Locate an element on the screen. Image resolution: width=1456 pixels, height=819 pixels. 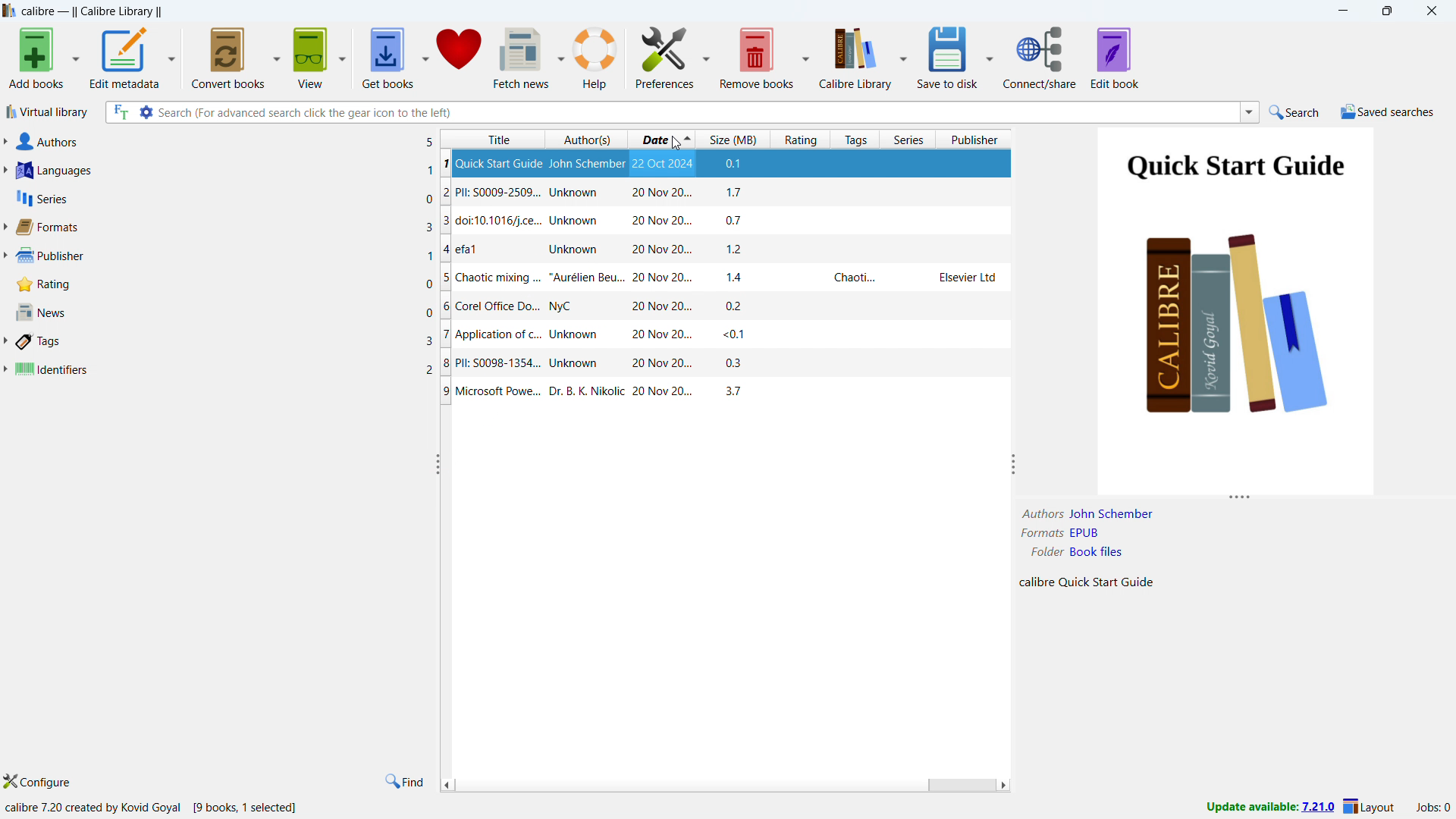
news is located at coordinates (224, 312).